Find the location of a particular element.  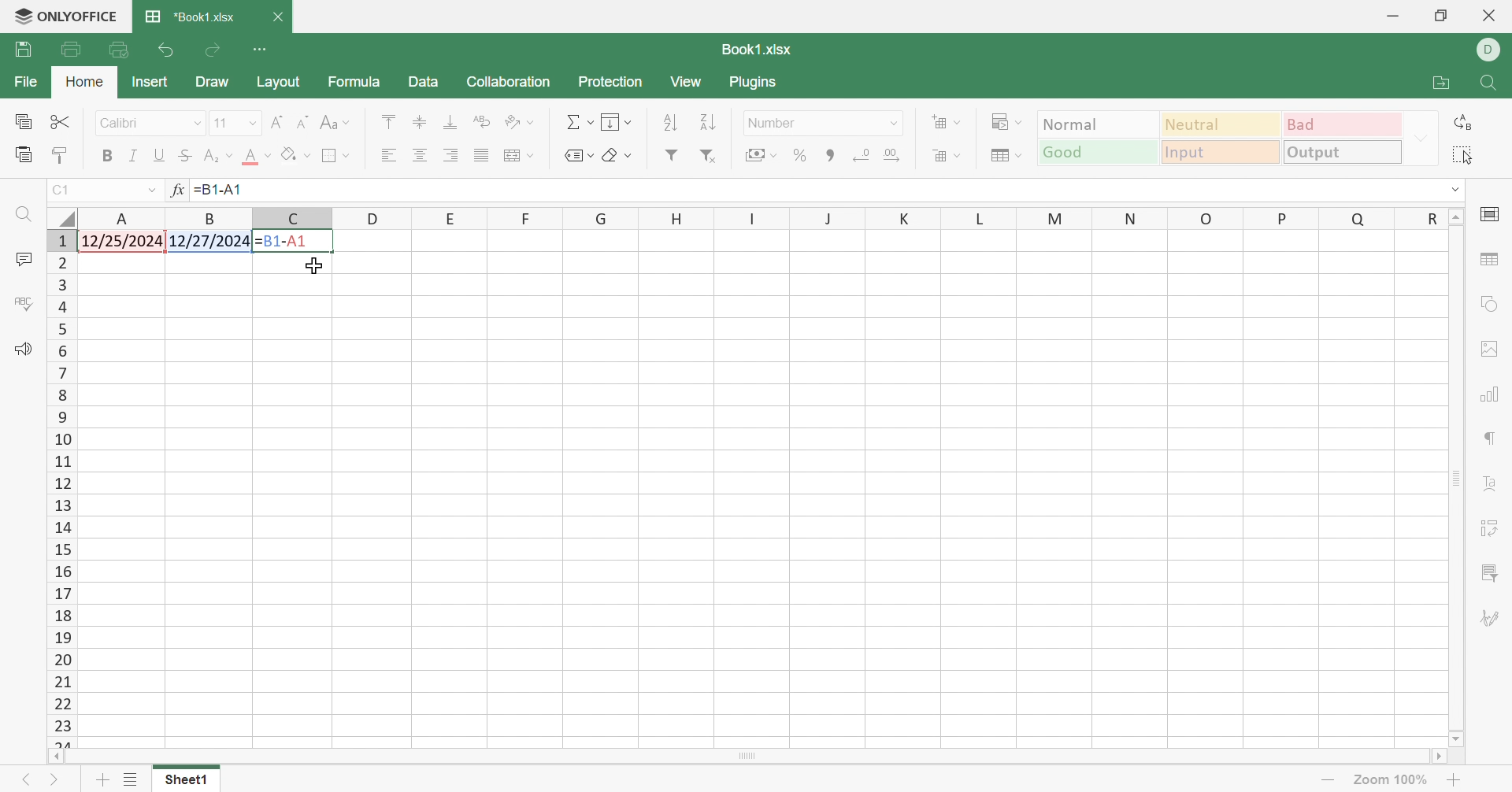

File is located at coordinates (28, 82).